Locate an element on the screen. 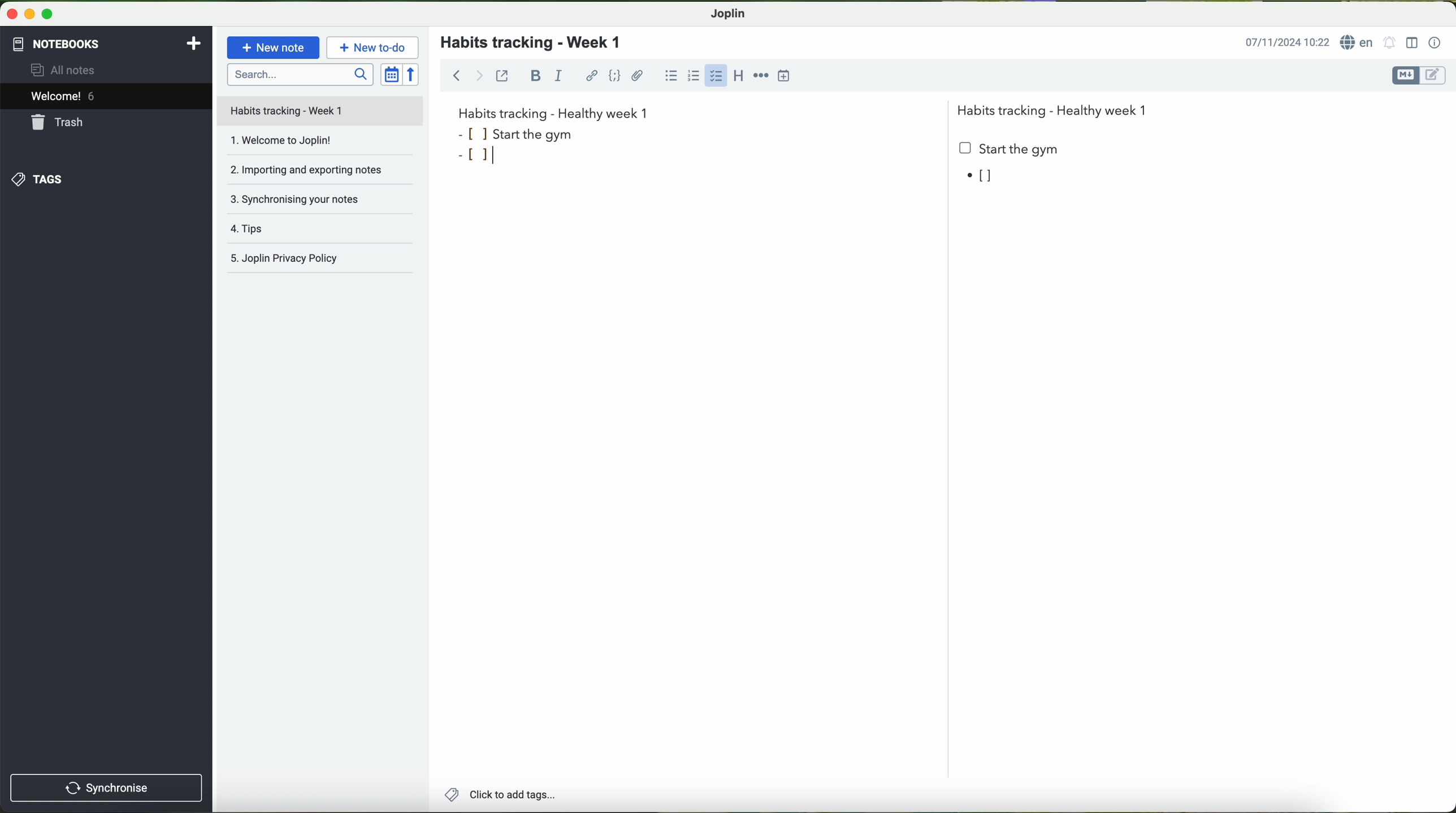 The width and height of the screenshot is (1456, 813). welcome to Joplin is located at coordinates (319, 145).